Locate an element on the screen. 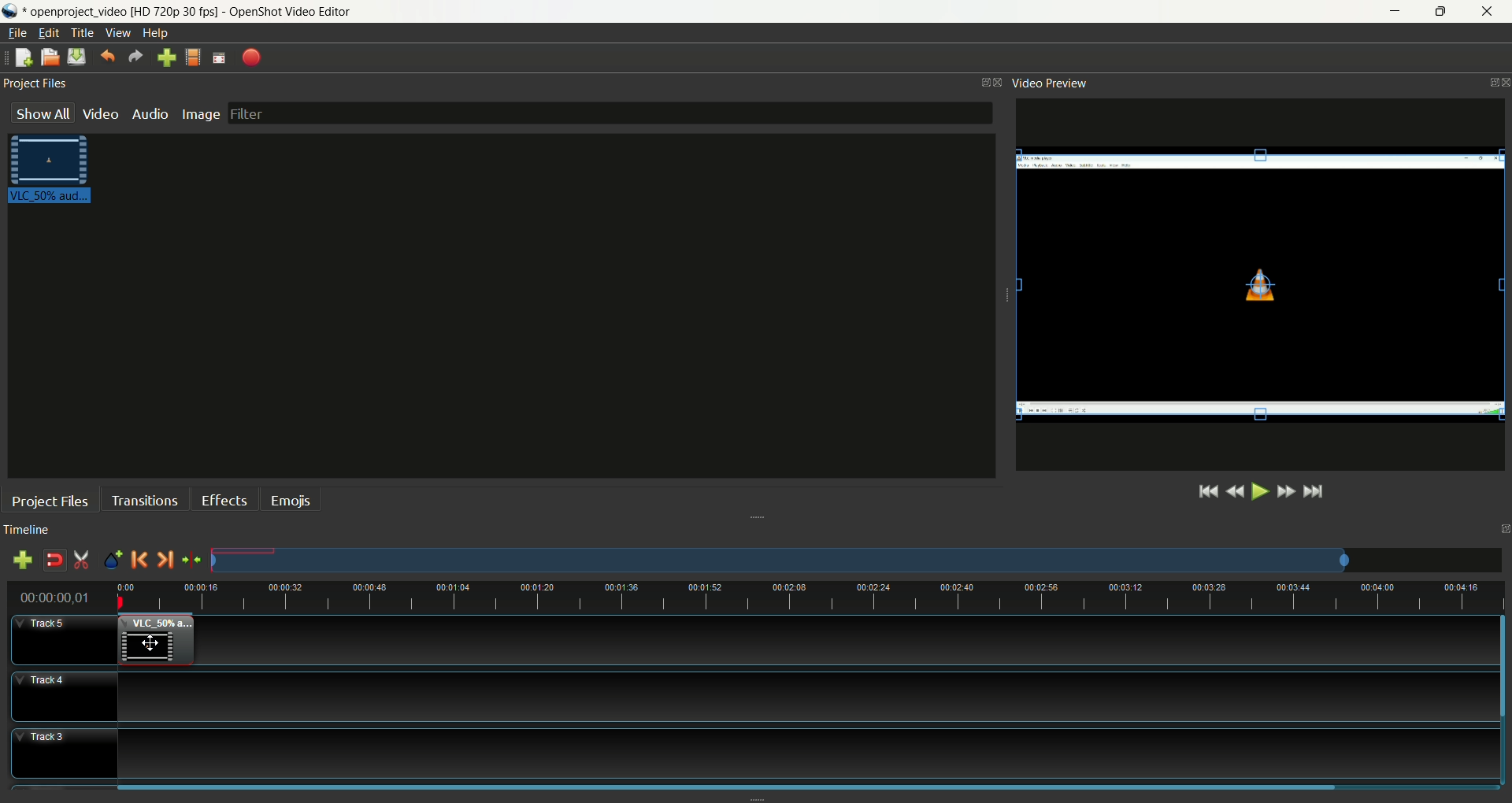 The width and height of the screenshot is (1512, 803). video clip is located at coordinates (1263, 286).